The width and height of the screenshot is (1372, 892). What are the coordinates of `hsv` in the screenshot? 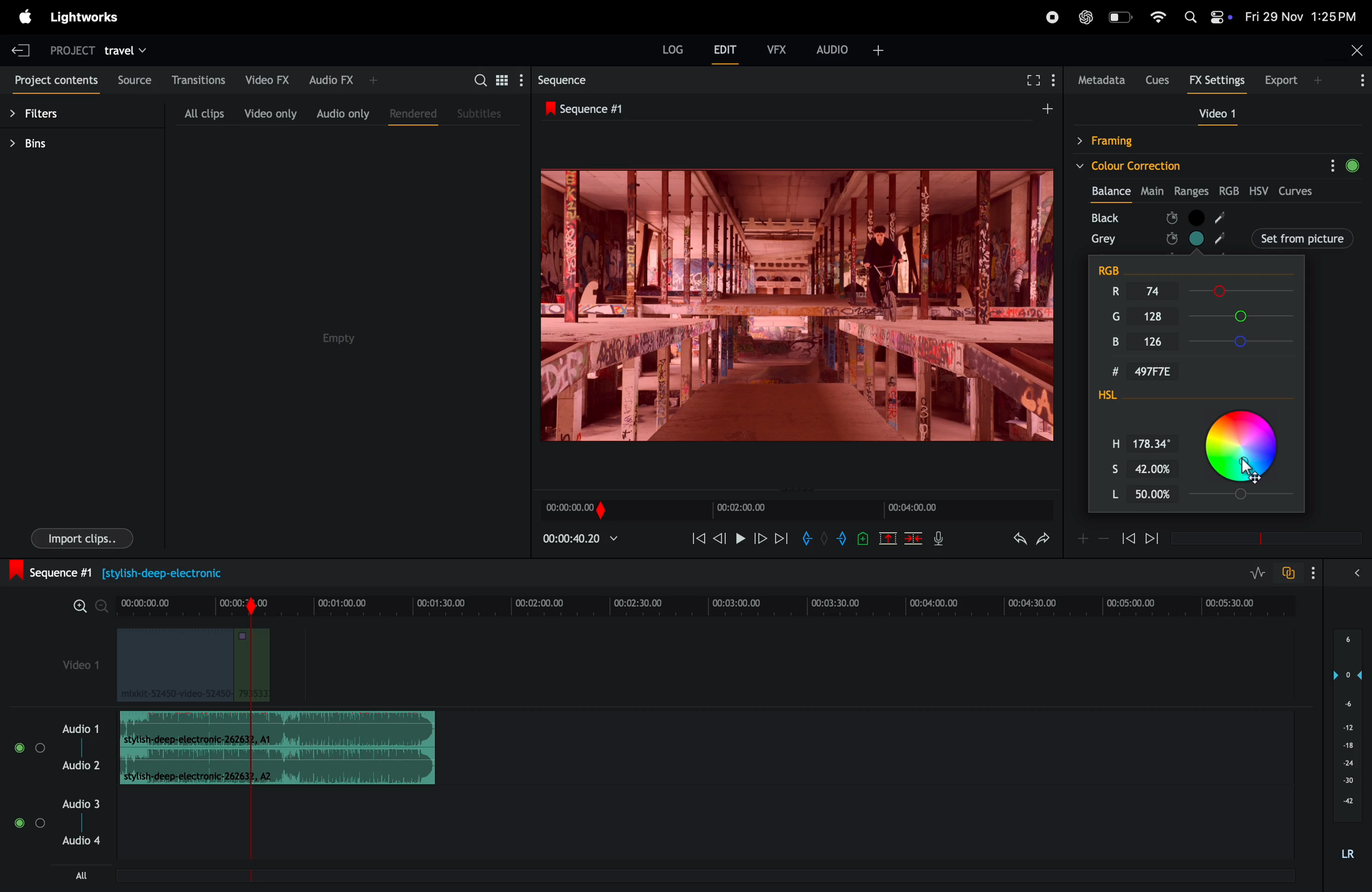 It's located at (1261, 191).